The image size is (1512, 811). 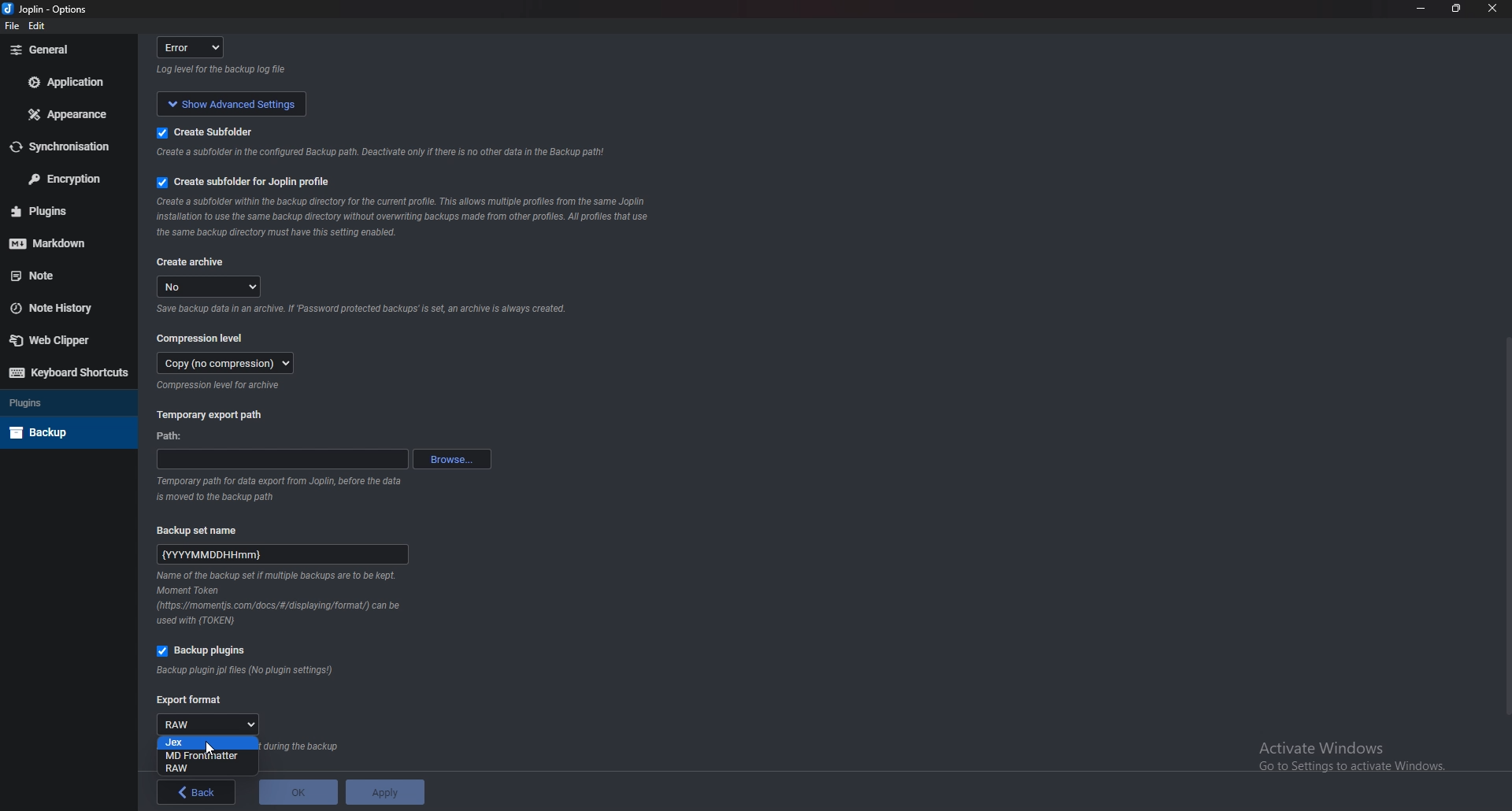 I want to click on Info, so click(x=402, y=218).